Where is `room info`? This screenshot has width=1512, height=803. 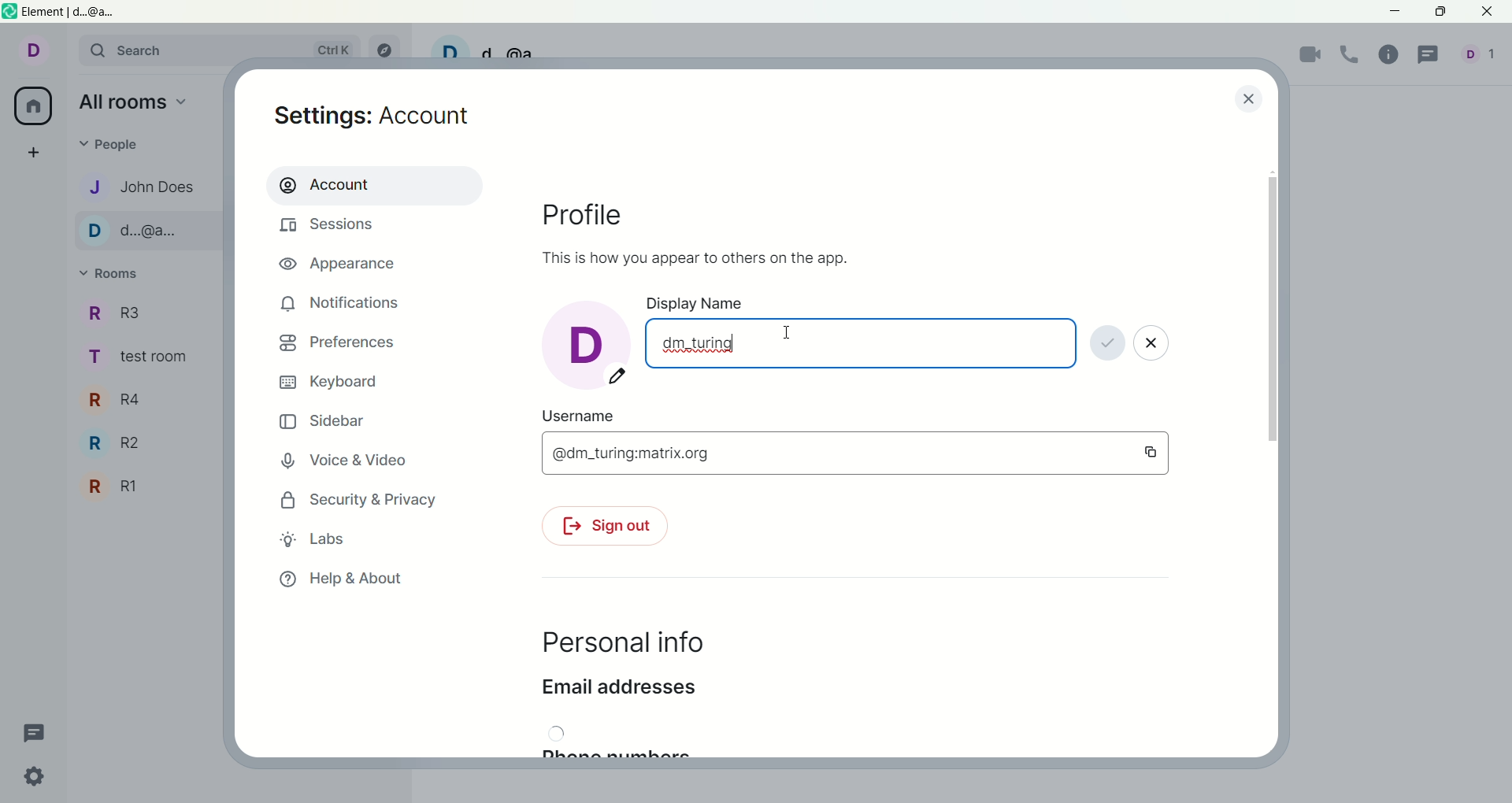 room info is located at coordinates (1393, 54).